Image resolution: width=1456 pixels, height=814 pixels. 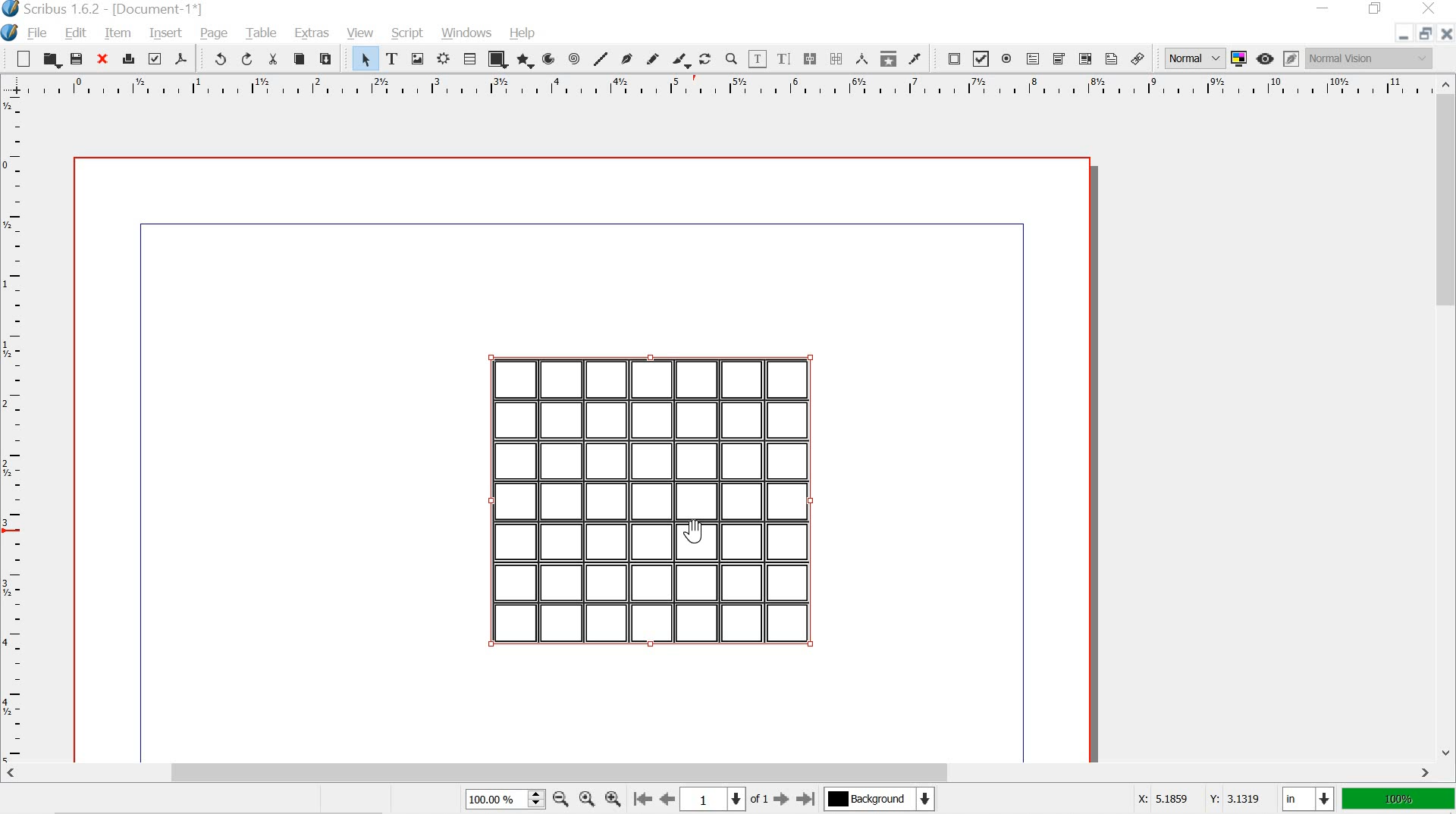 I want to click on of 1, so click(x=758, y=800).